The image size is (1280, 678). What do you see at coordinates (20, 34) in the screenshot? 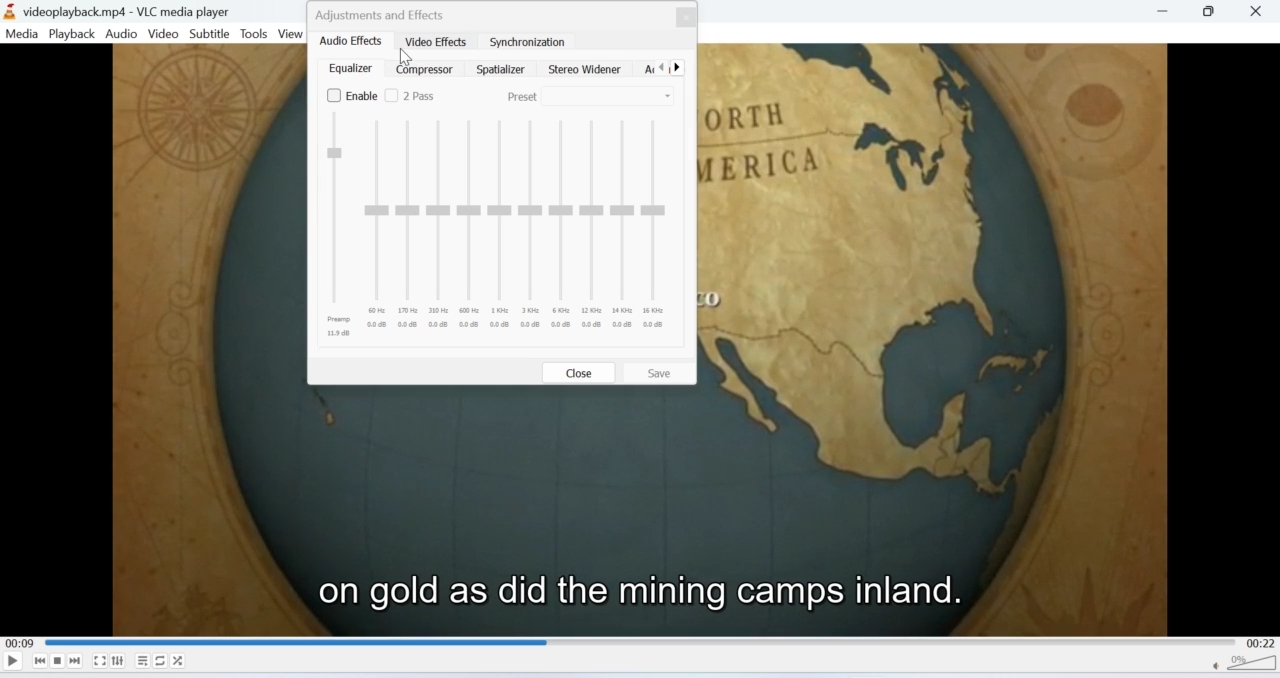
I see `Media` at bounding box center [20, 34].